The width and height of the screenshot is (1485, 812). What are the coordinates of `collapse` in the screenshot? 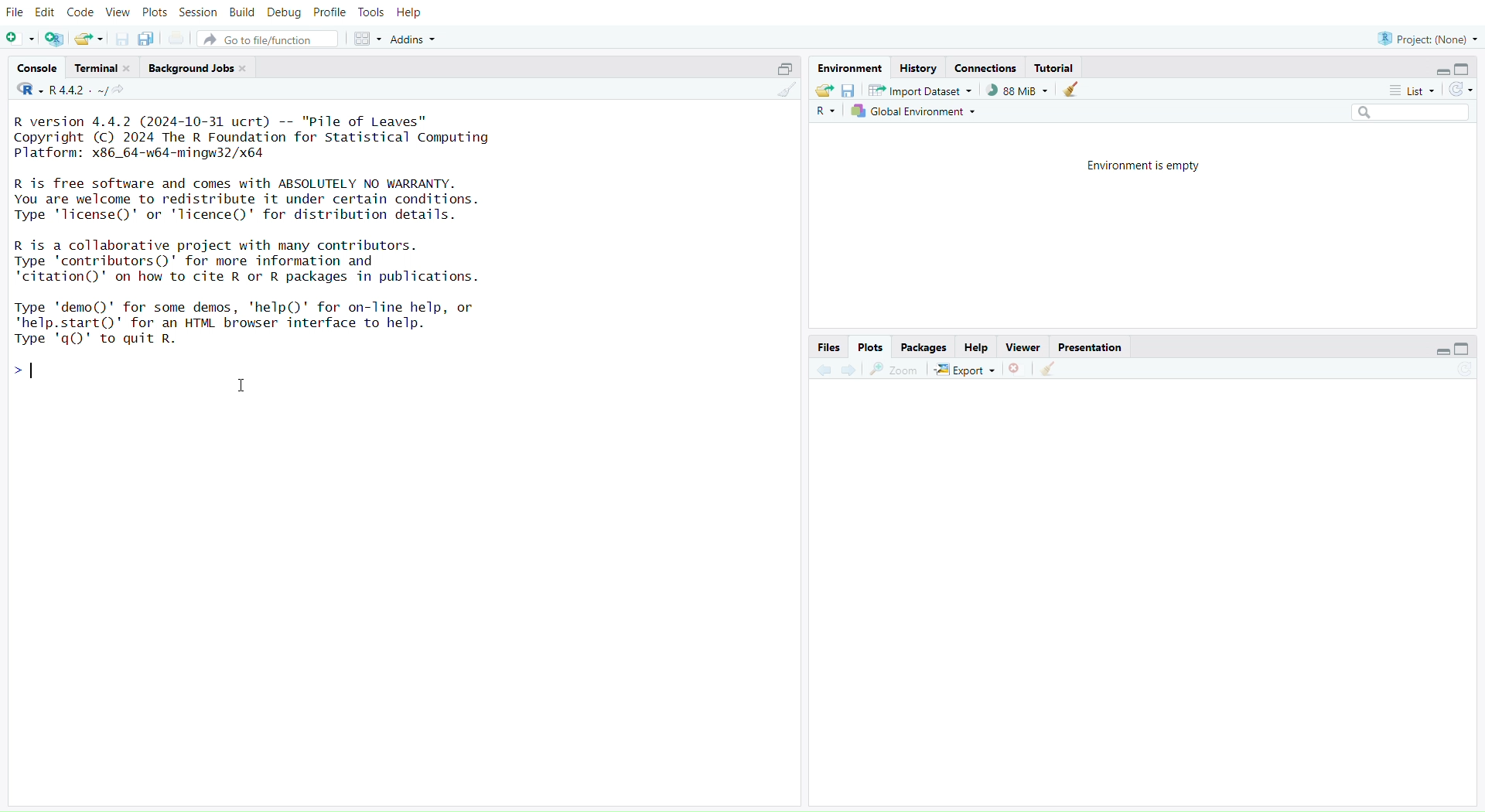 It's located at (783, 69).